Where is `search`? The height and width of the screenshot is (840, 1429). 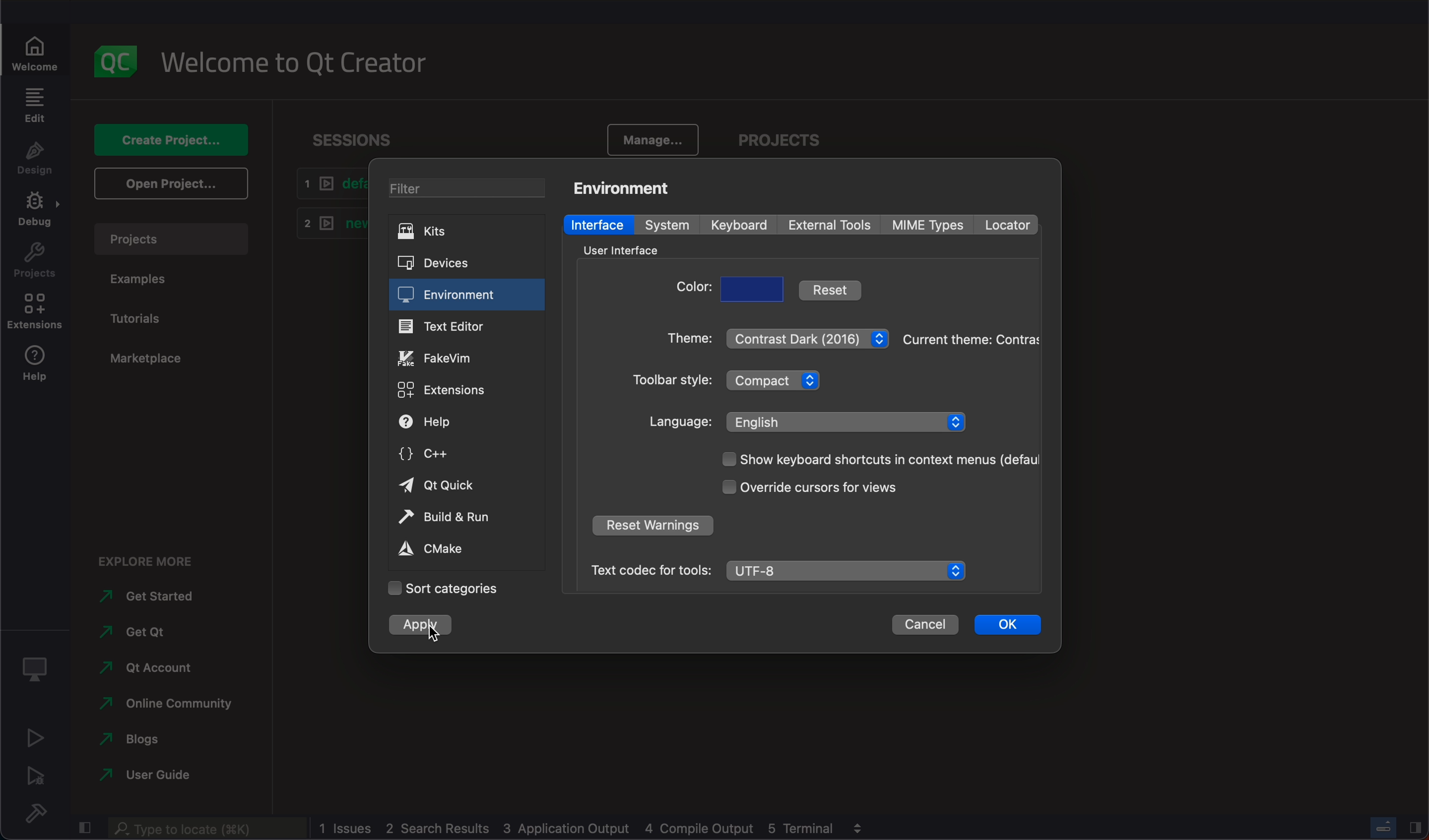 search is located at coordinates (210, 829).